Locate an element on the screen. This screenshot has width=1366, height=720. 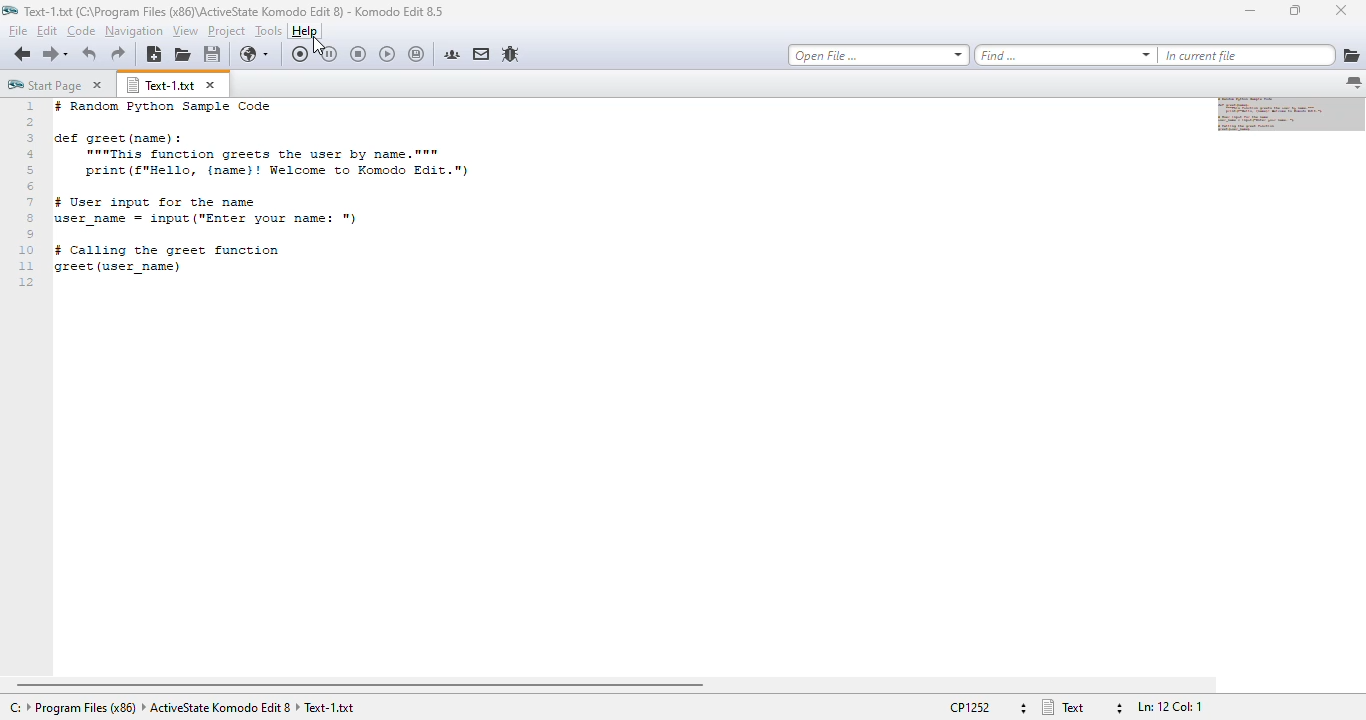
tools is located at coordinates (269, 31).